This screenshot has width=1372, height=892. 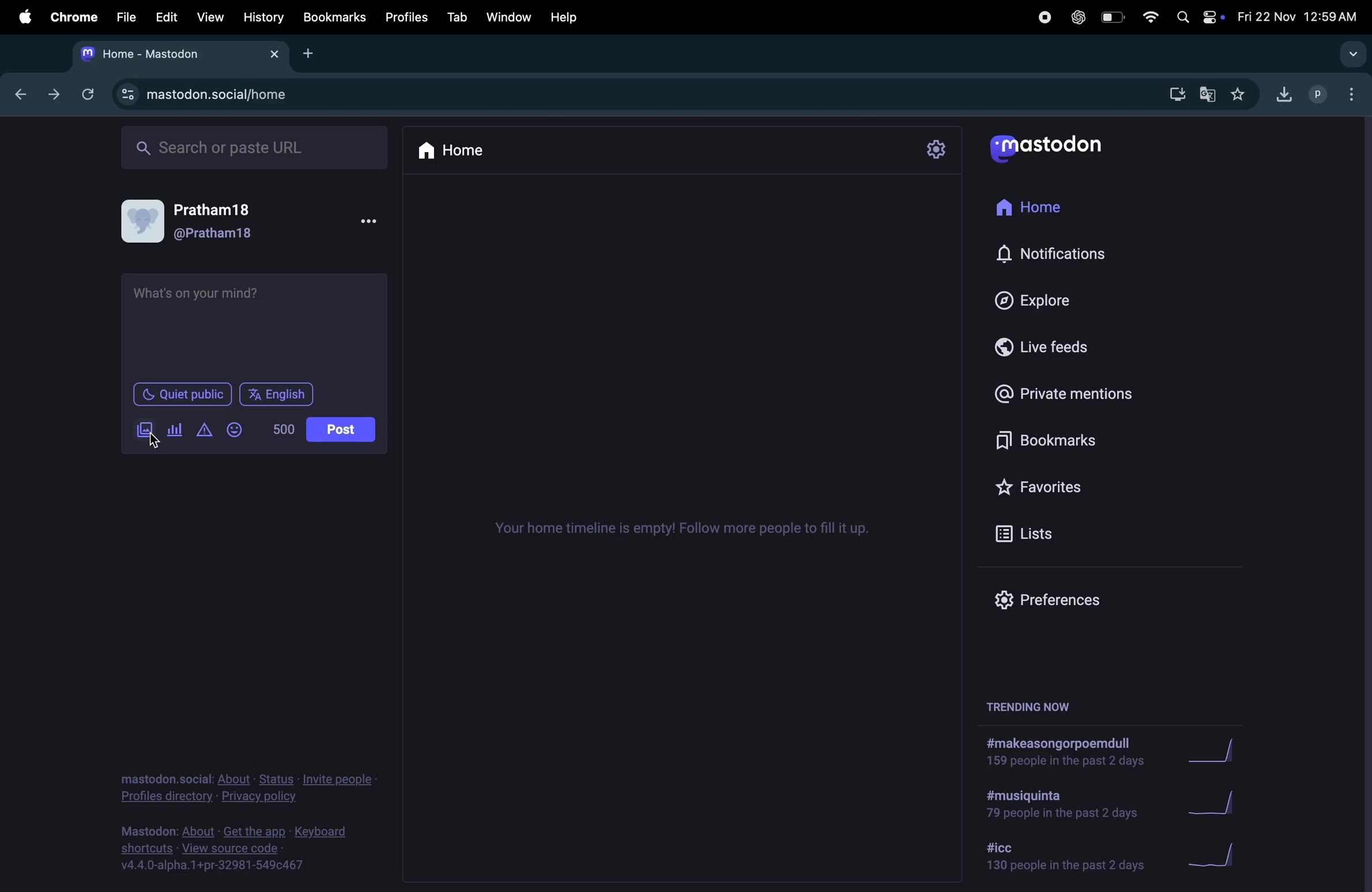 What do you see at coordinates (147, 832) in the screenshot?
I see `mastodon` at bounding box center [147, 832].